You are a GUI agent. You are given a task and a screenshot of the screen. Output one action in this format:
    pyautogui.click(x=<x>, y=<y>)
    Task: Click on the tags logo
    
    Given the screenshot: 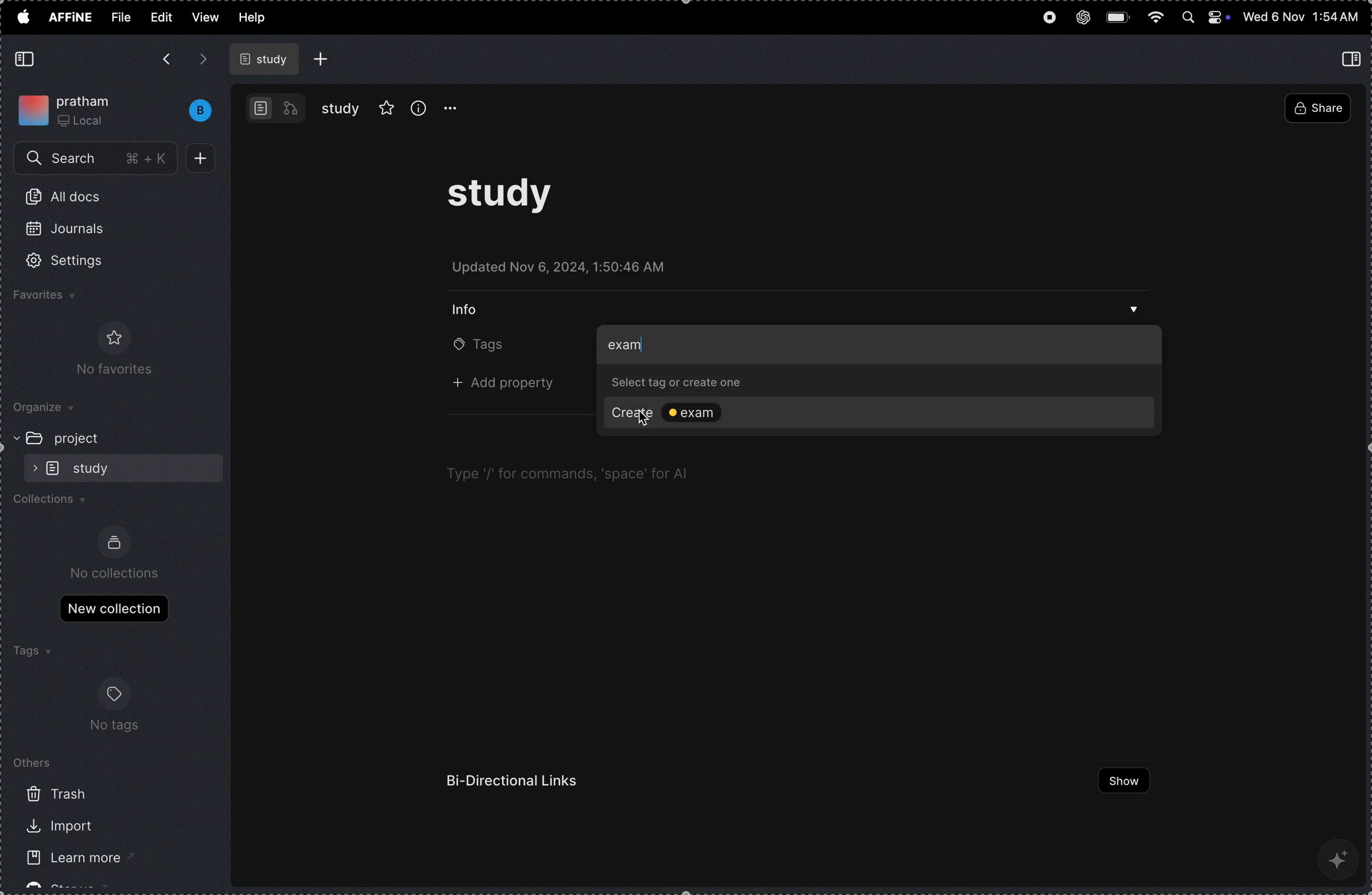 What is the action you would take?
    pyautogui.click(x=114, y=693)
    